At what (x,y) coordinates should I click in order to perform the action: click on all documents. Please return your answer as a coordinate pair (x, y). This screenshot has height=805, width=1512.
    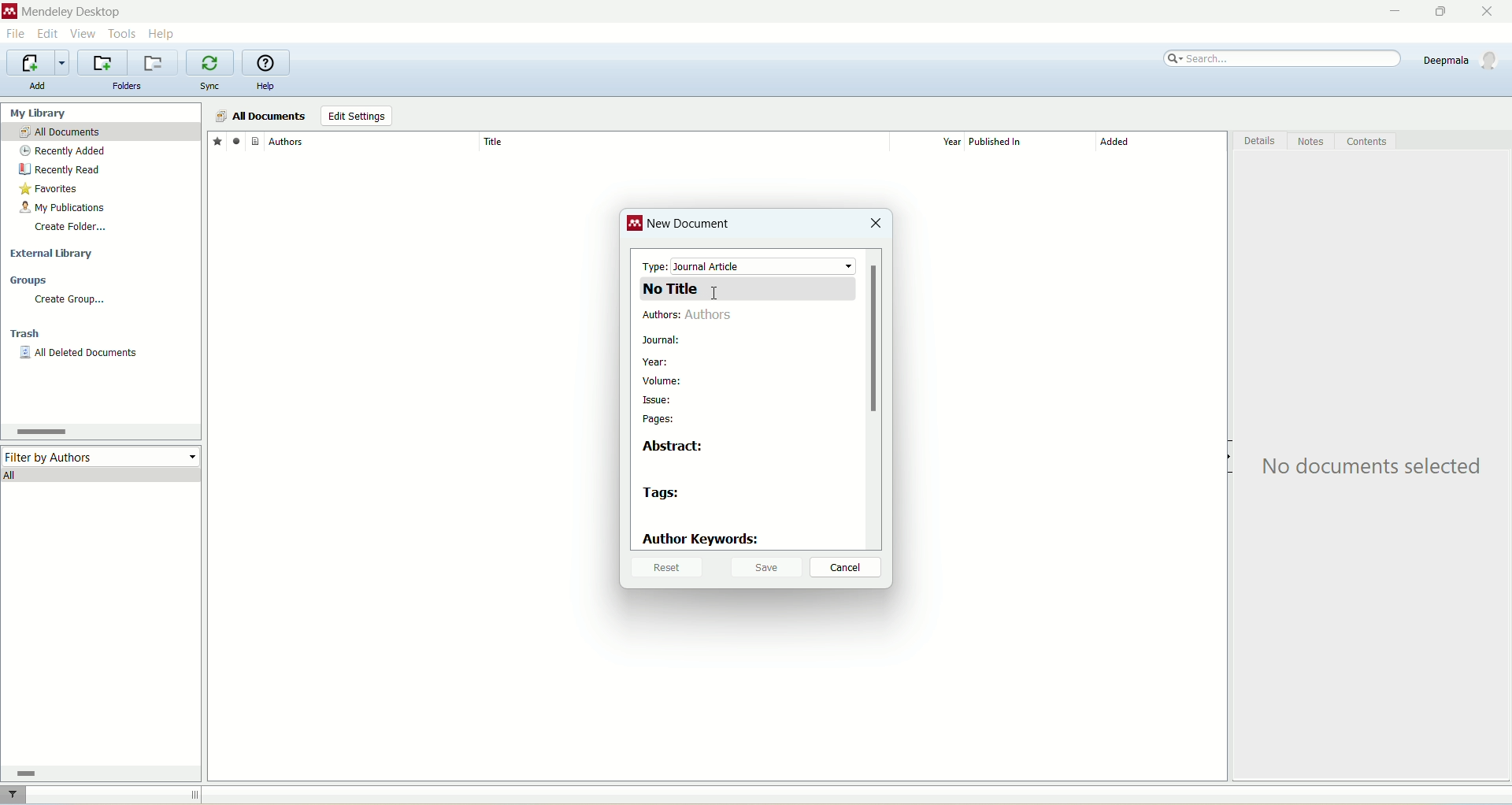
    Looking at the image, I should click on (260, 117).